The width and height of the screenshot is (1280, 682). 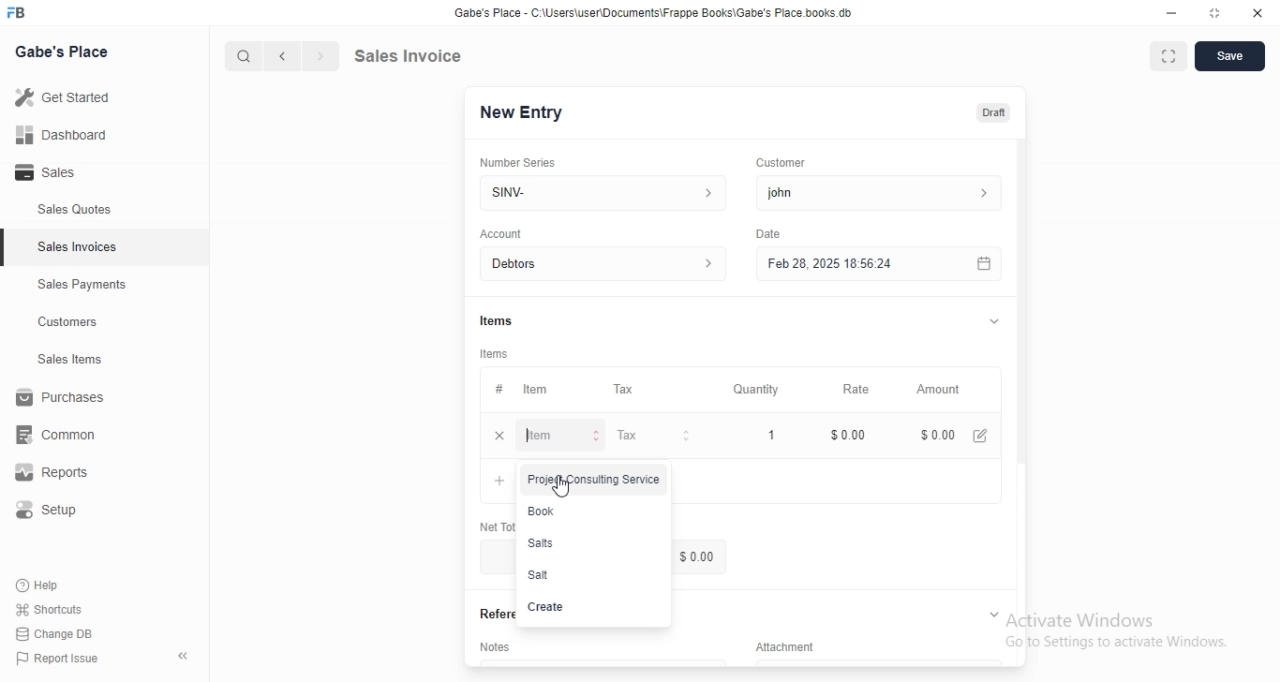 I want to click on Tax &, so click(x=652, y=436).